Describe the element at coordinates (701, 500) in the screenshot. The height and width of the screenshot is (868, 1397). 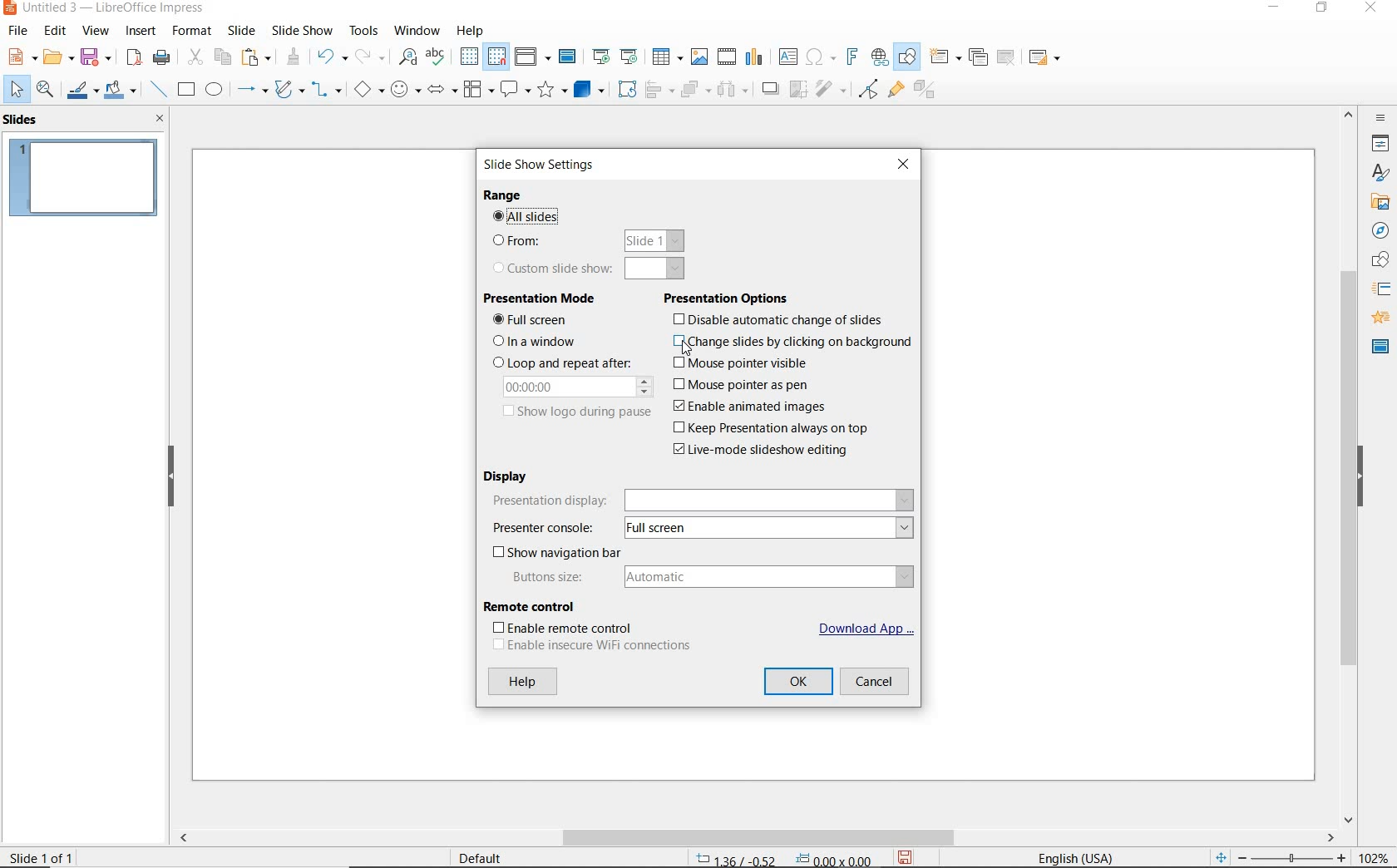
I see `PRESENTATION DISPLAY` at that location.